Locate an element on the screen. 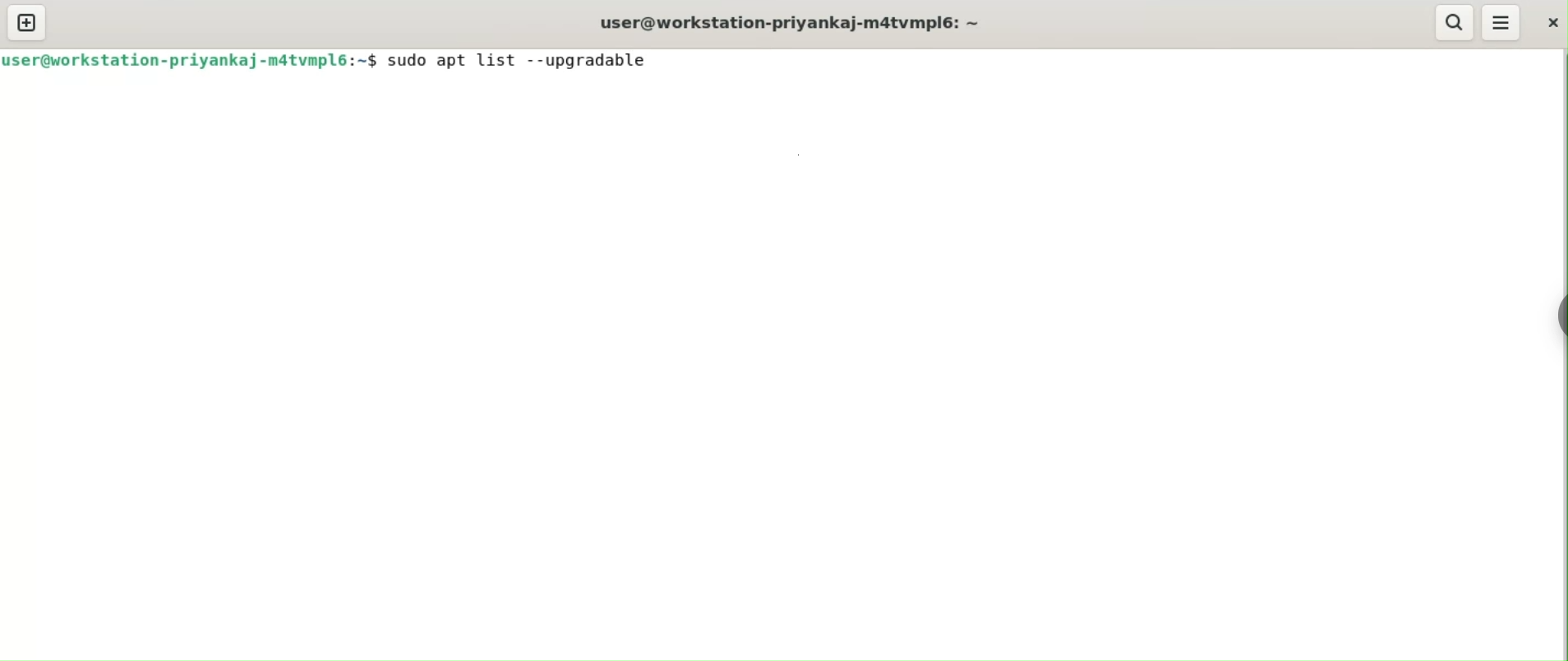 The image size is (1568, 661). search is located at coordinates (1454, 21).